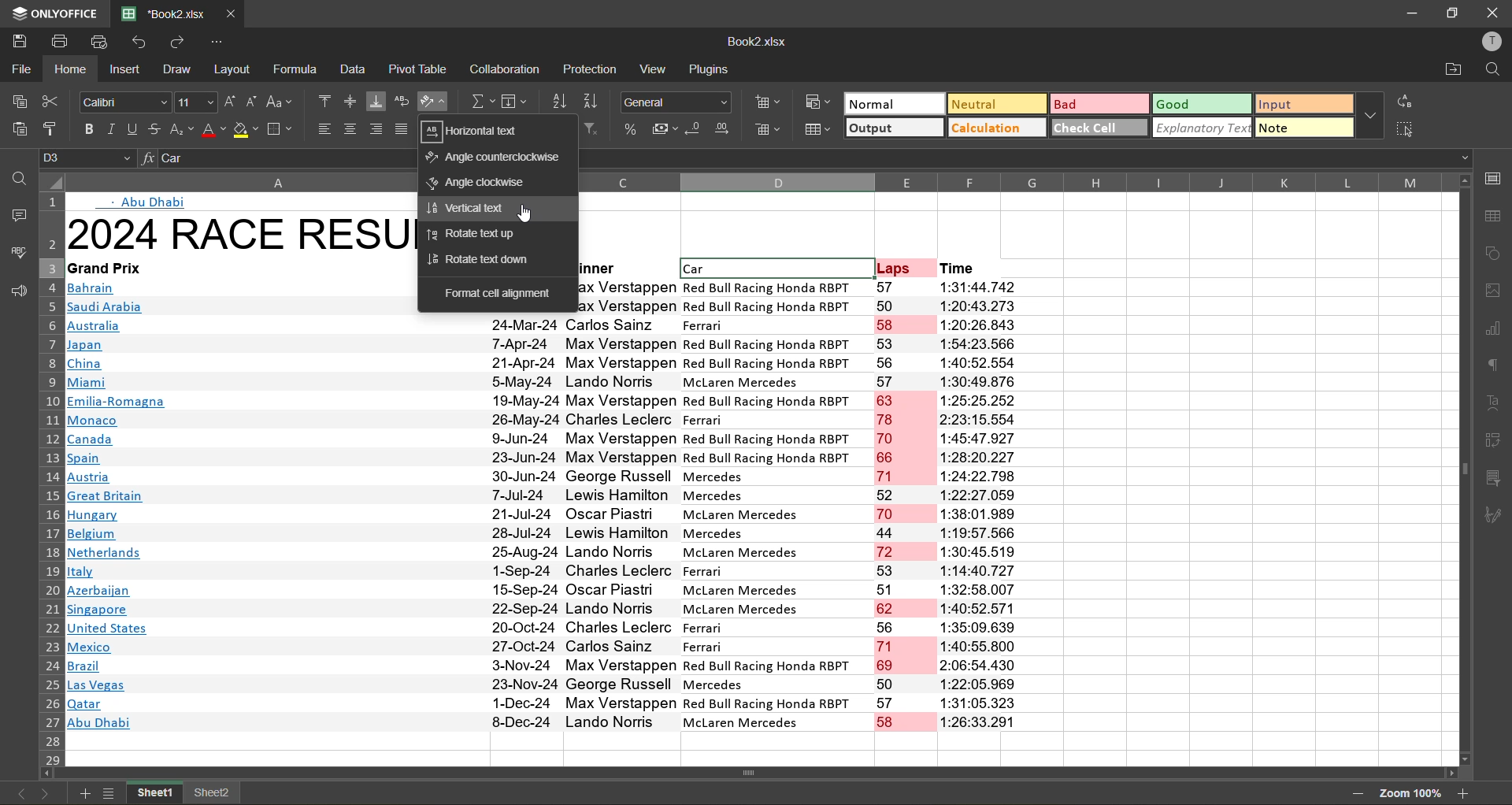  I want to click on align top, so click(328, 100).